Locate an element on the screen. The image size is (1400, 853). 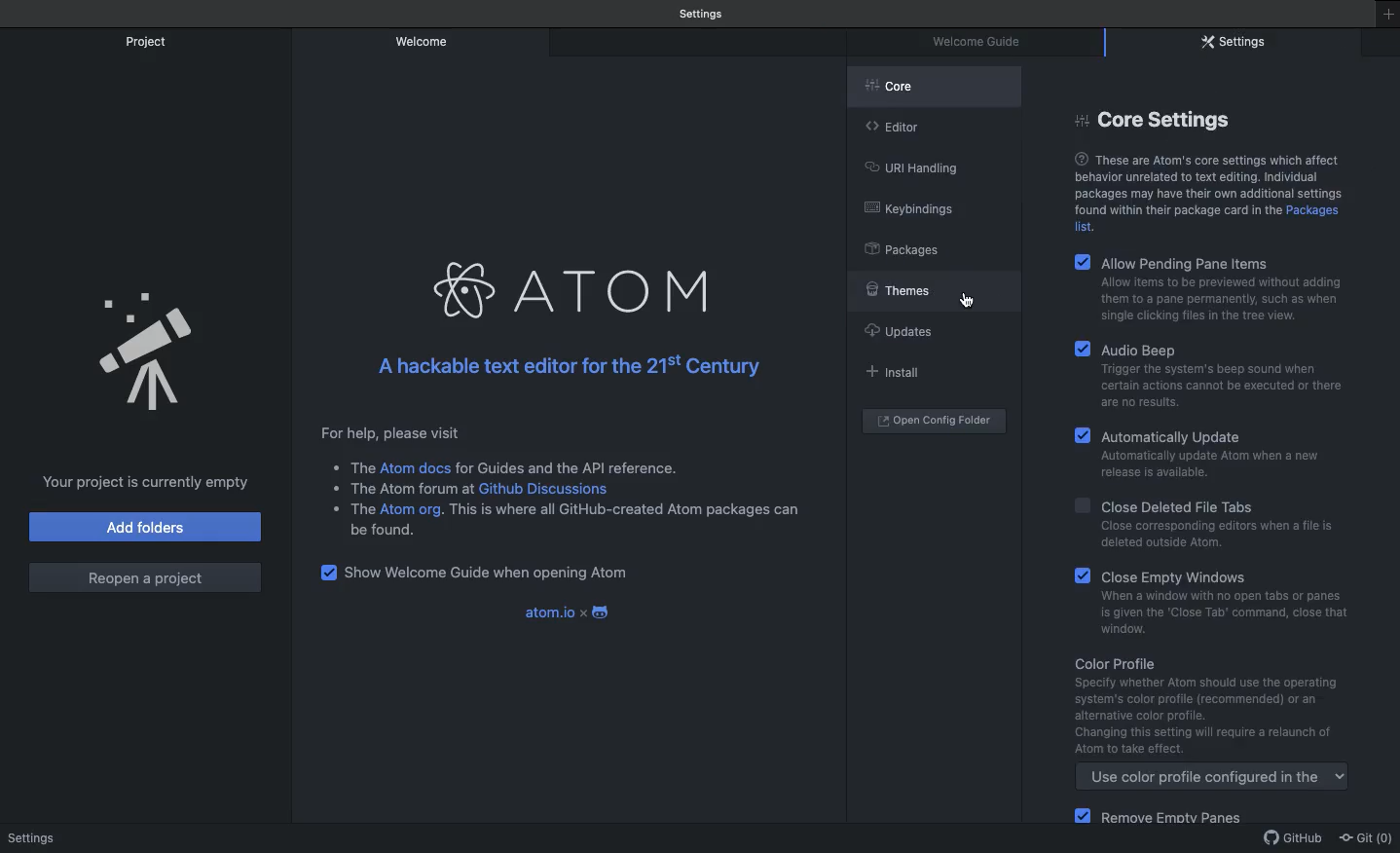
Add folders is located at coordinates (145, 527).